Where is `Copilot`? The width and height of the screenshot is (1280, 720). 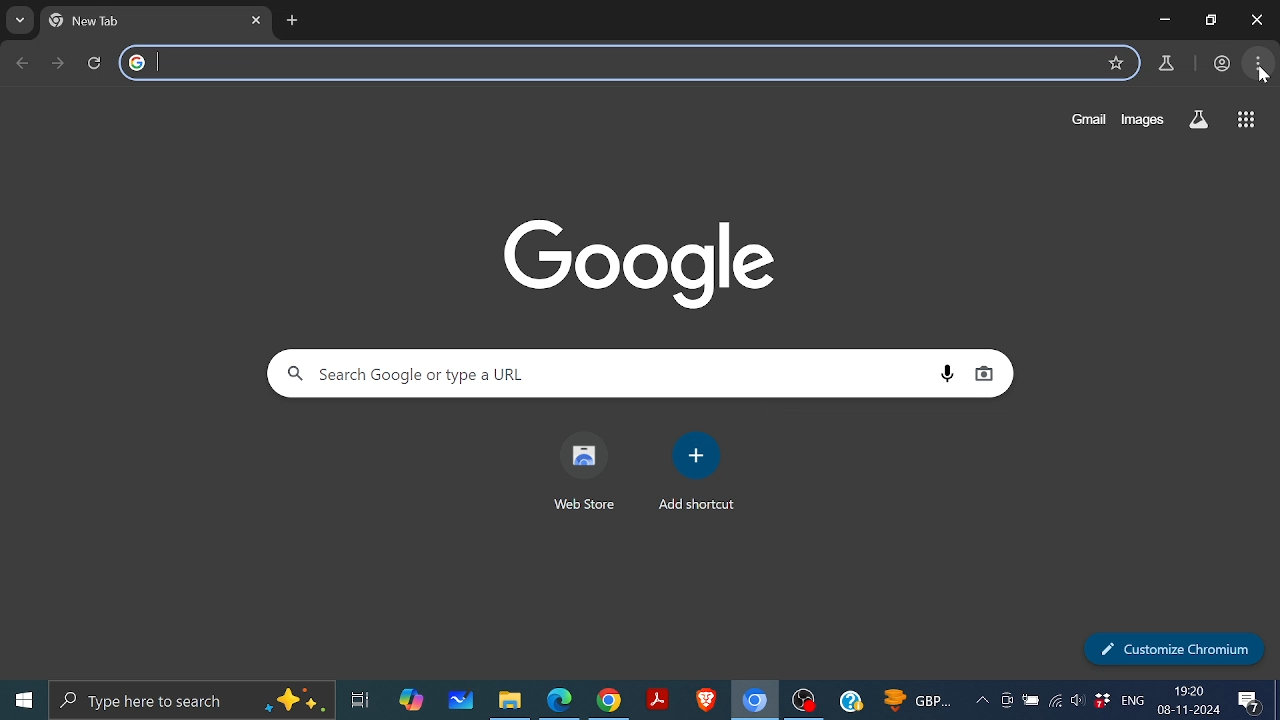
Copilot is located at coordinates (412, 696).